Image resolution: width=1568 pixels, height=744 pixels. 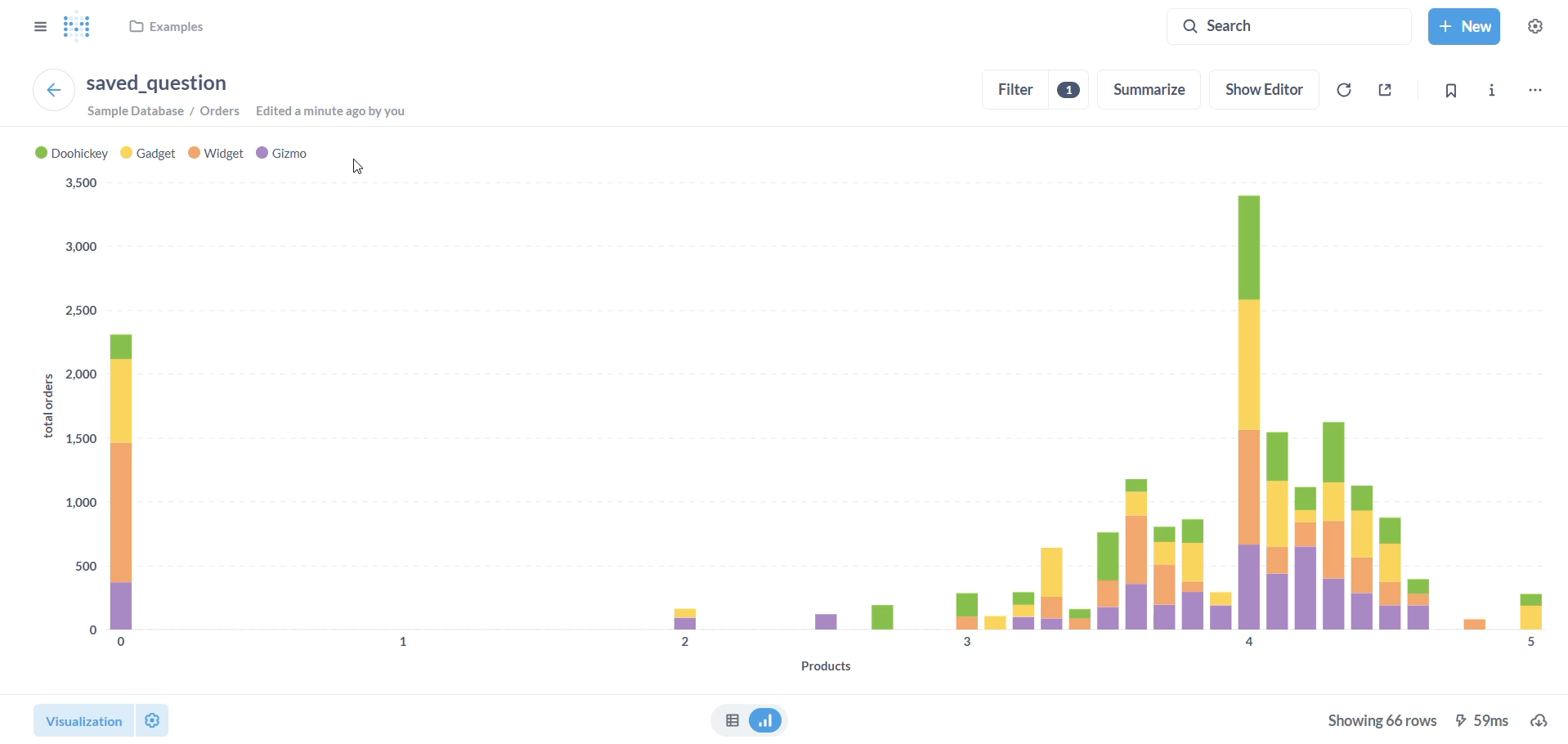 I want to click on info, so click(x=1490, y=92).